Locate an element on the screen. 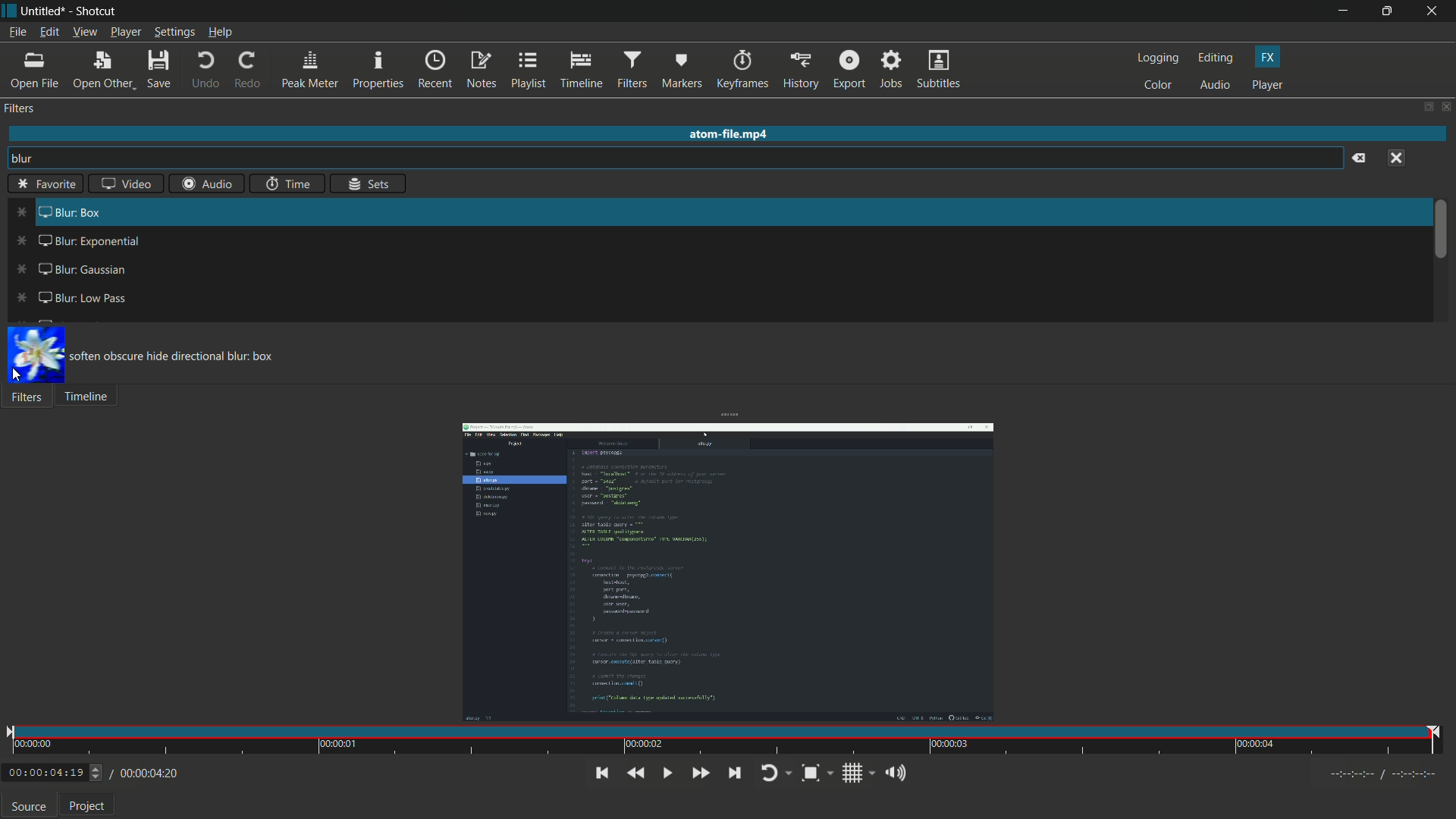  quickly play forward is located at coordinates (698, 773).